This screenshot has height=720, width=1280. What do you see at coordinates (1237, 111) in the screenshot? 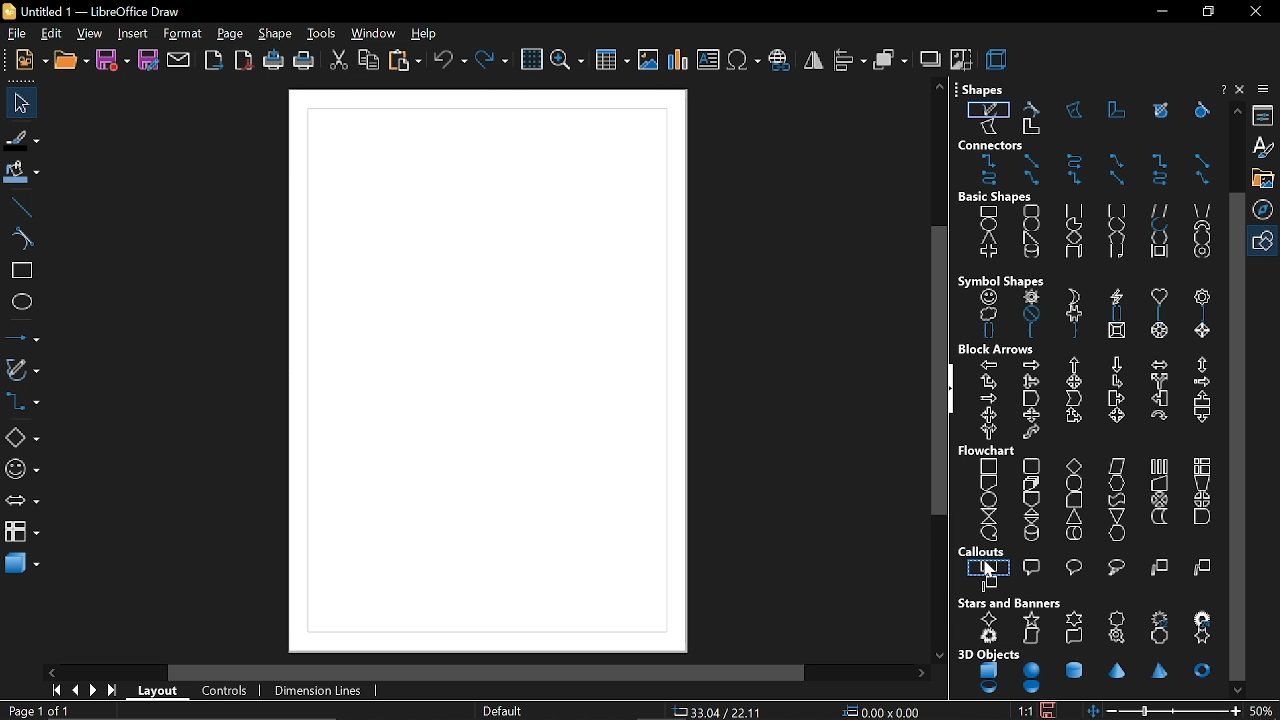
I see `move up` at bounding box center [1237, 111].